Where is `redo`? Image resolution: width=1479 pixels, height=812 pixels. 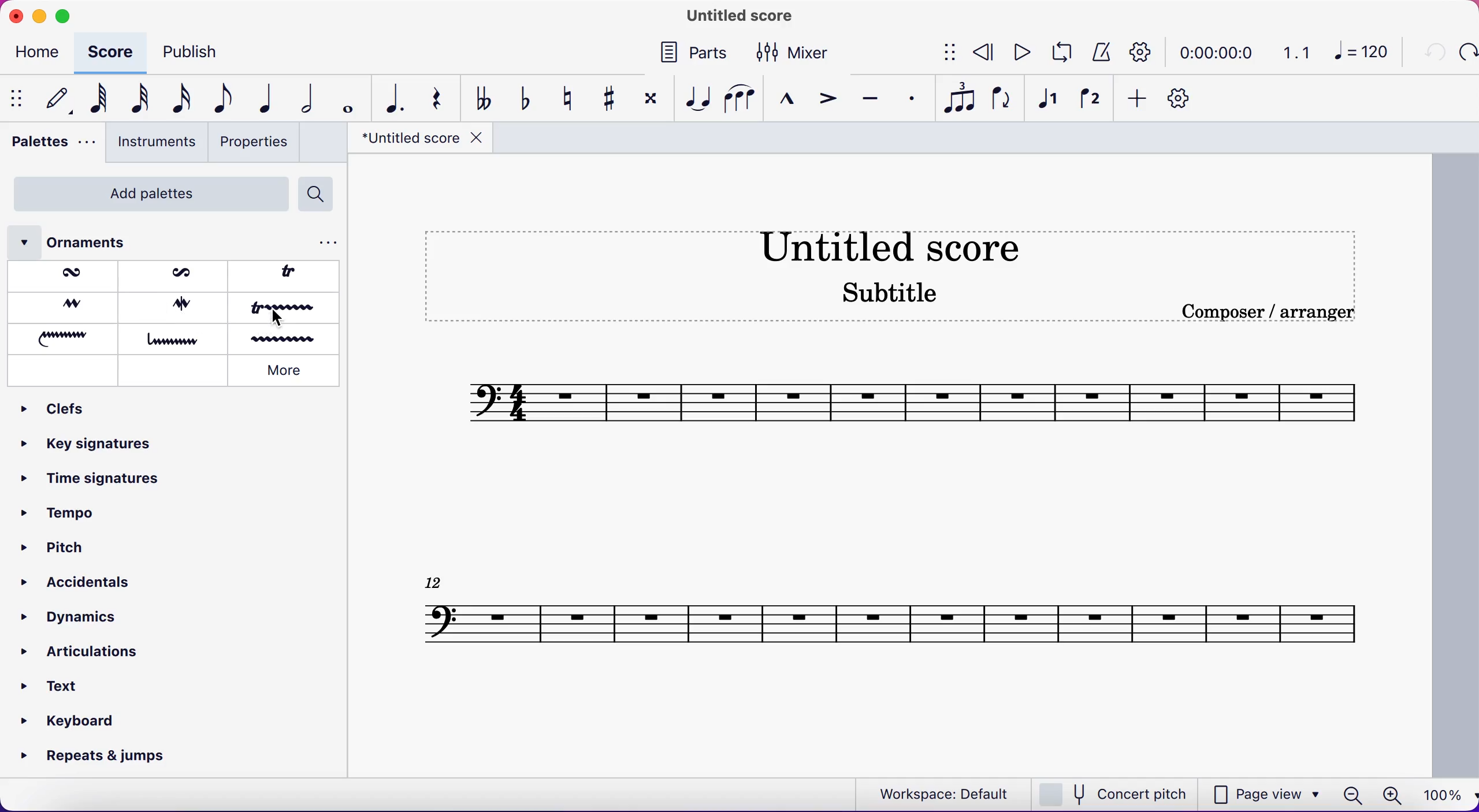
redo is located at coordinates (1467, 53).